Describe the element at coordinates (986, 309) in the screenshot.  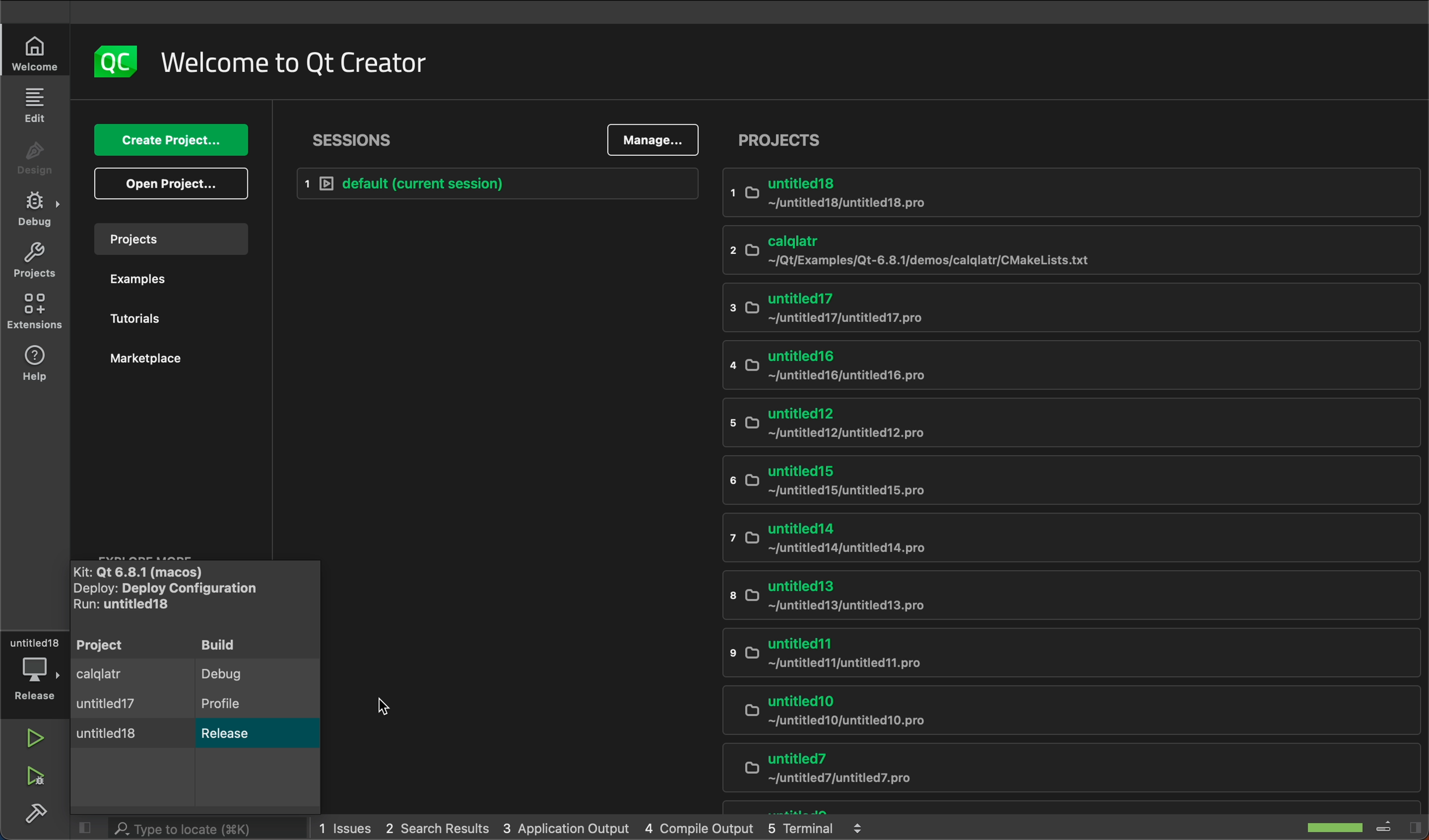
I see `untitled17` at that location.